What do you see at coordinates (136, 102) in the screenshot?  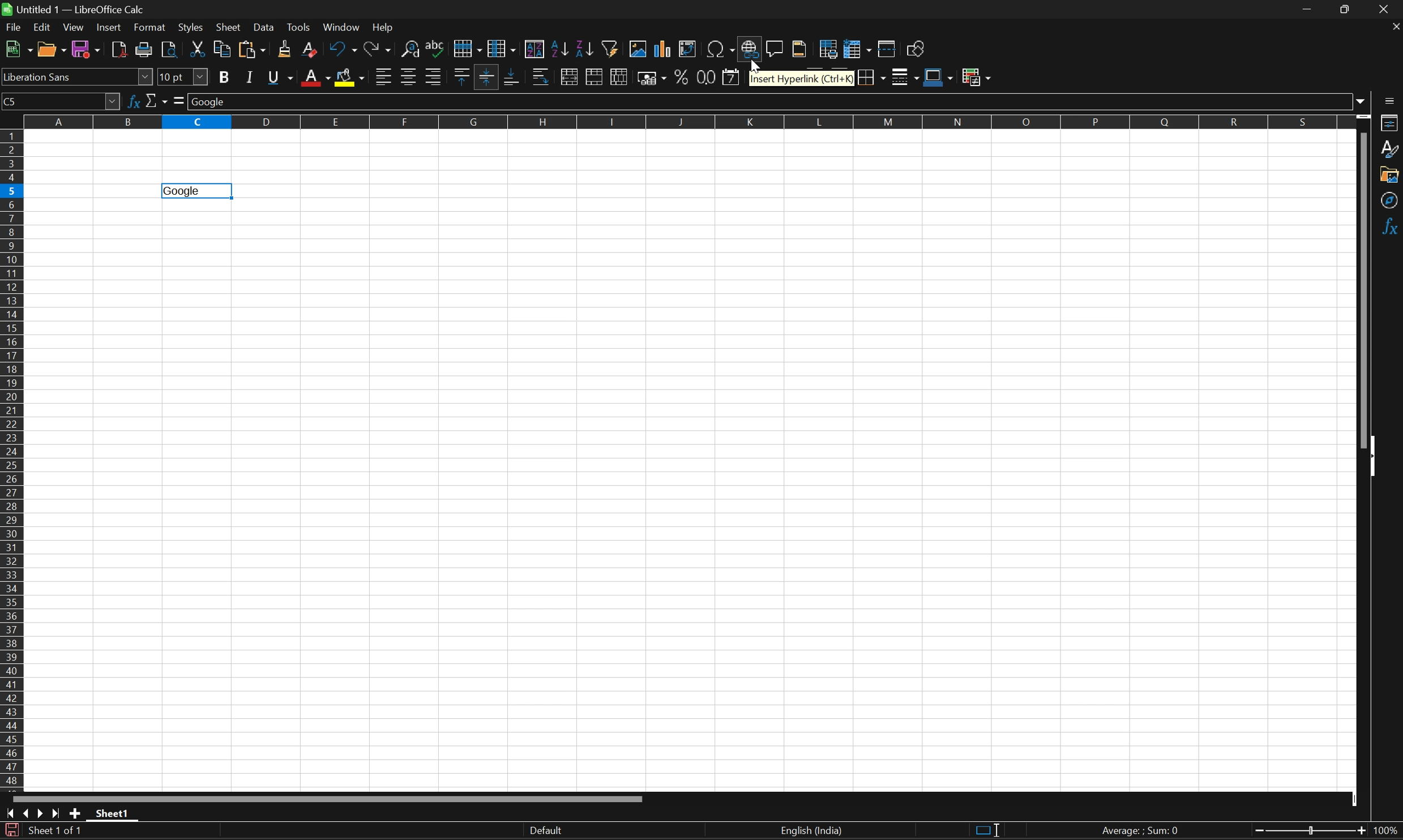 I see `Function wizard` at bounding box center [136, 102].